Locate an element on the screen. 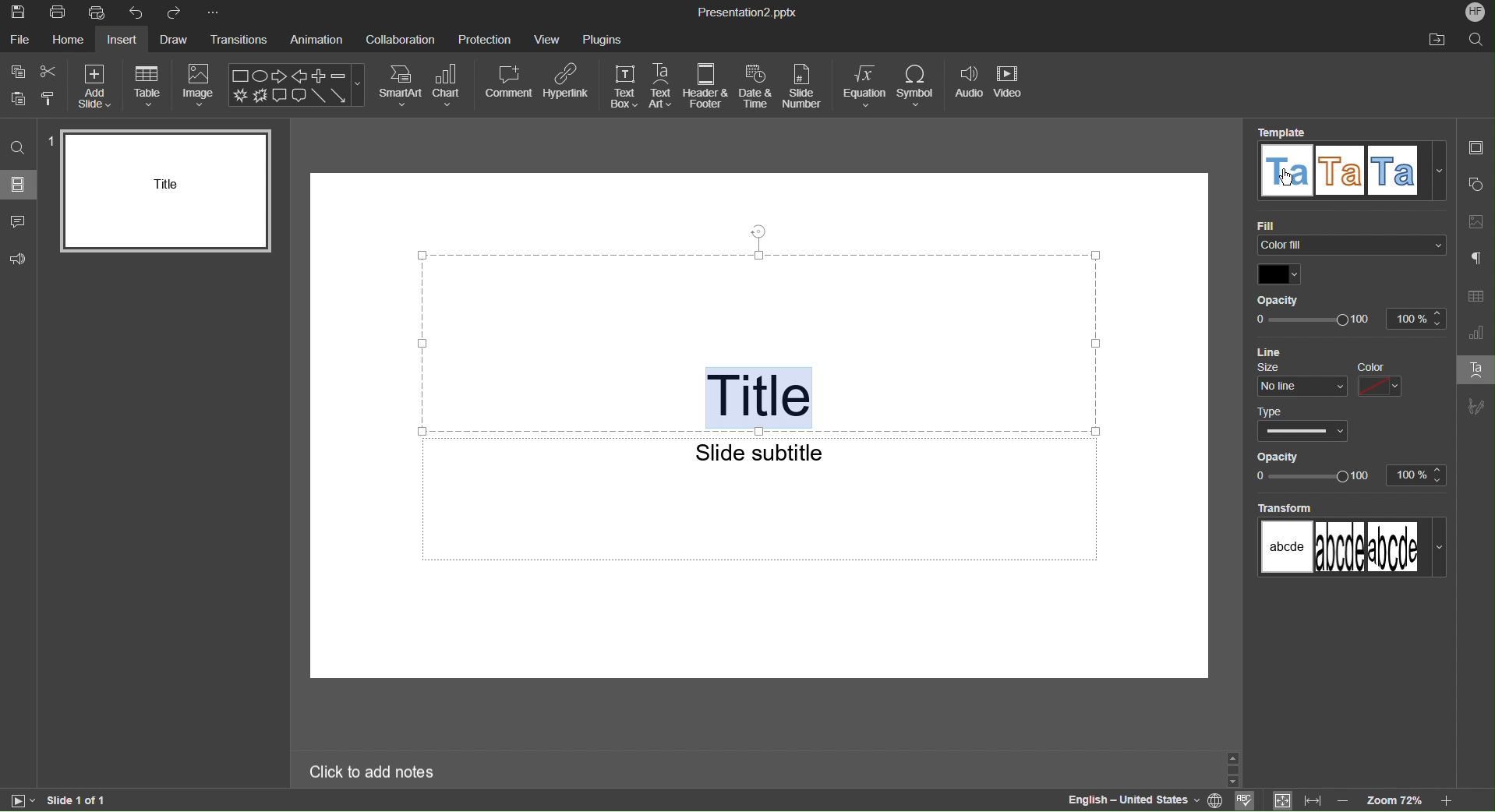 This screenshot has height=812, width=1495. Comment is located at coordinates (19, 221).